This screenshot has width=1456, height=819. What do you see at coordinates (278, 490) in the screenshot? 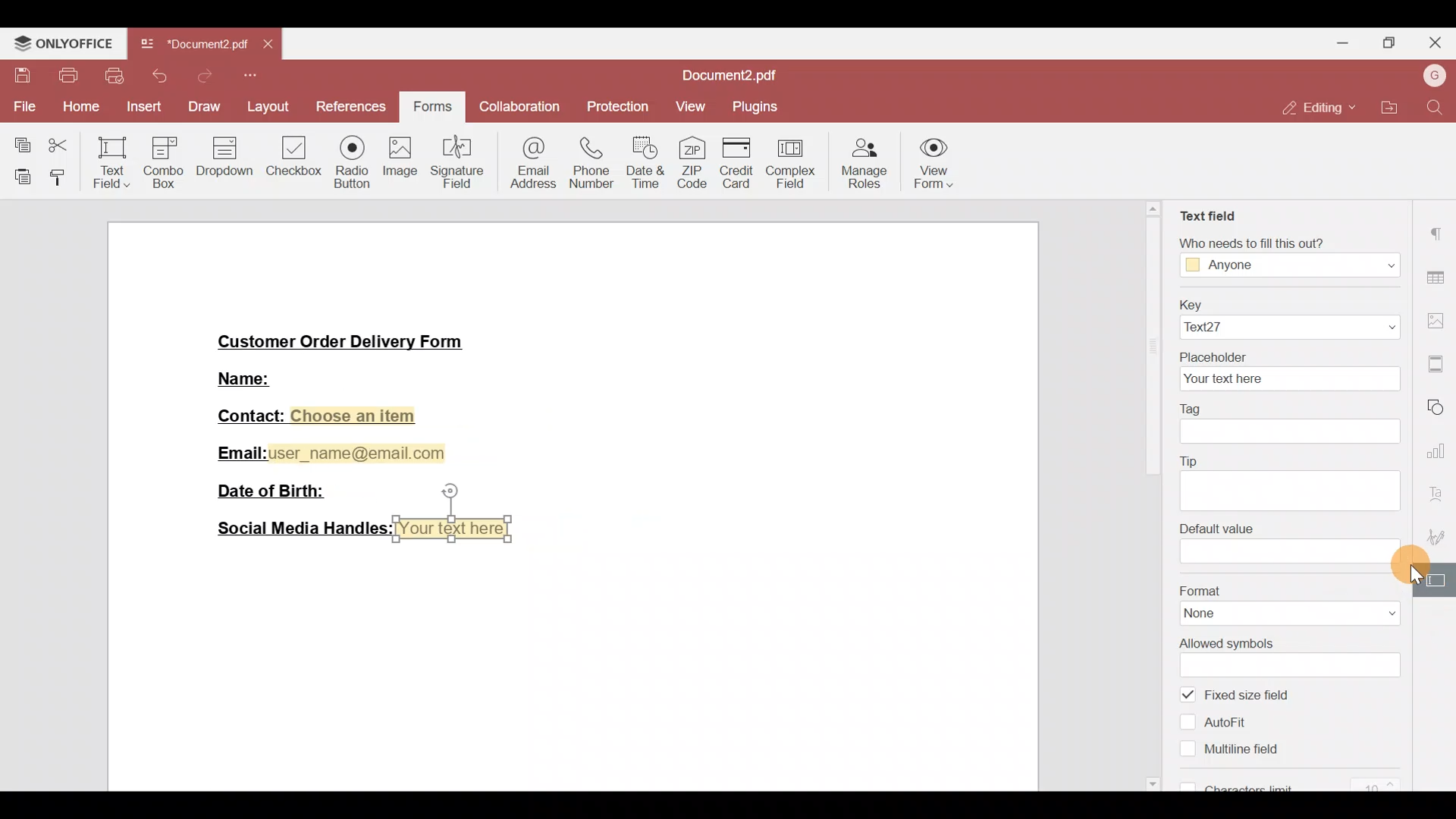
I see `Date of Birth:` at bounding box center [278, 490].